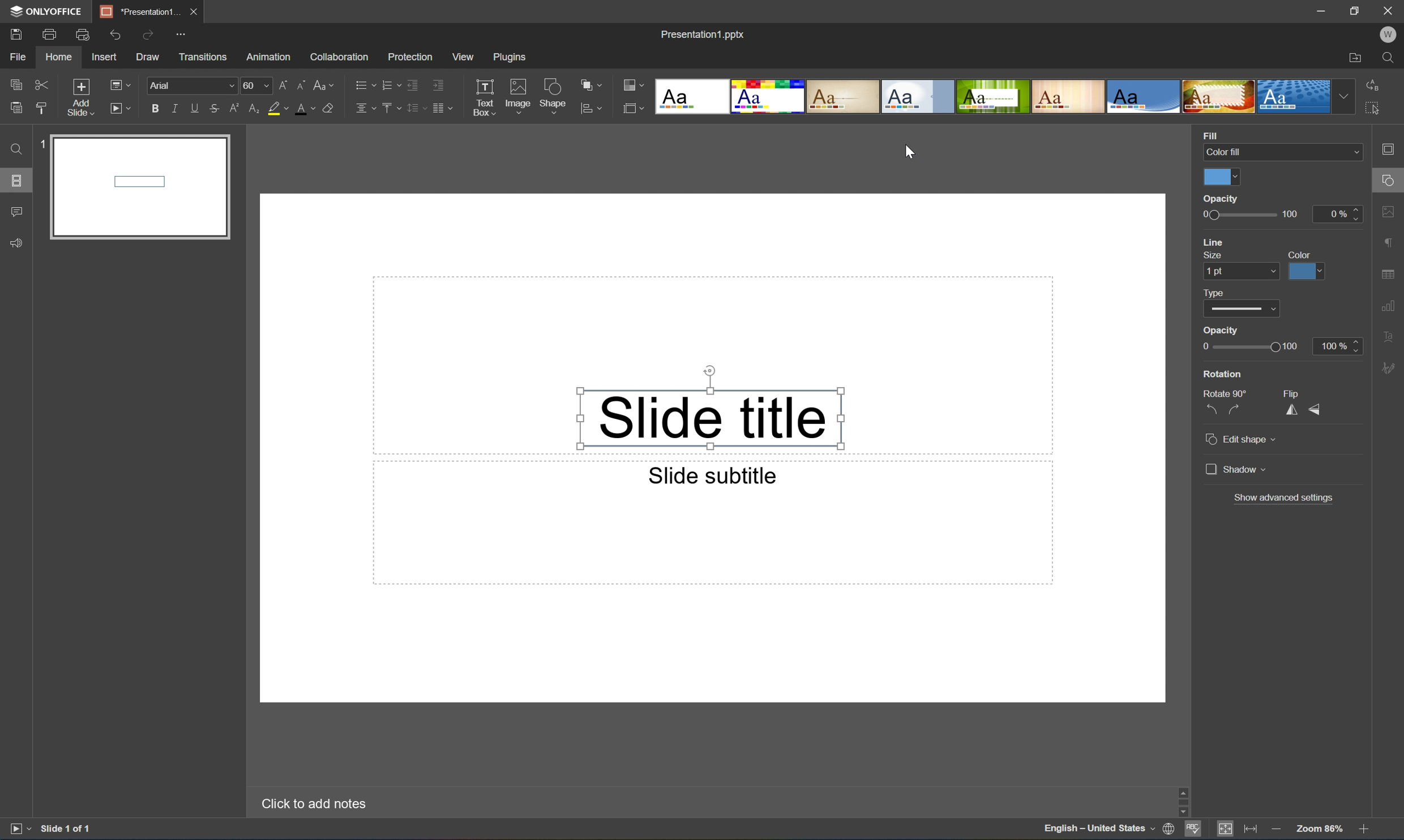  What do you see at coordinates (201, 57) in the screenshot?
I see `Transitions` at bounding box center [201, 57].